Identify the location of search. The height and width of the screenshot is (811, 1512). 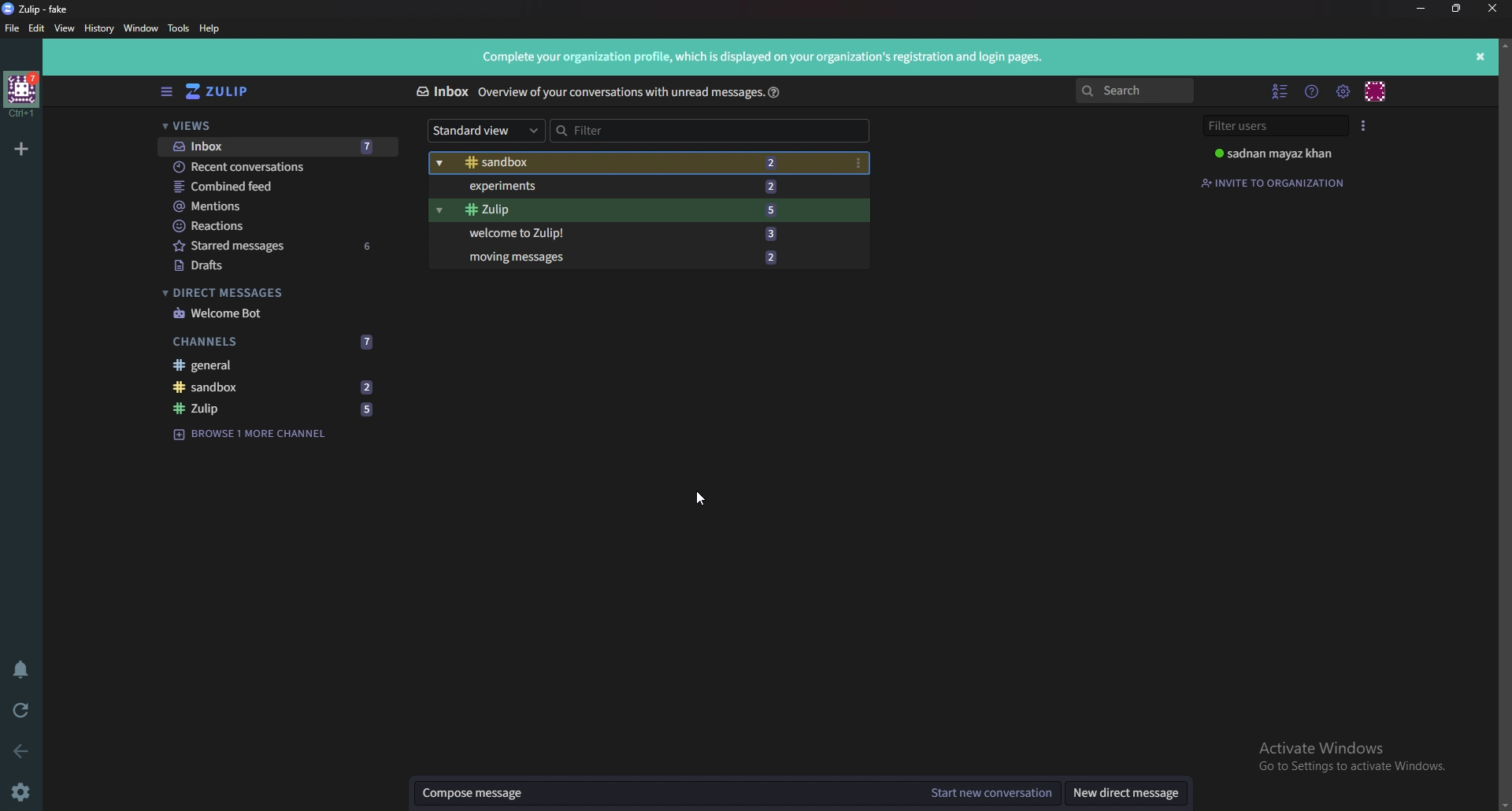
(1138, 91).